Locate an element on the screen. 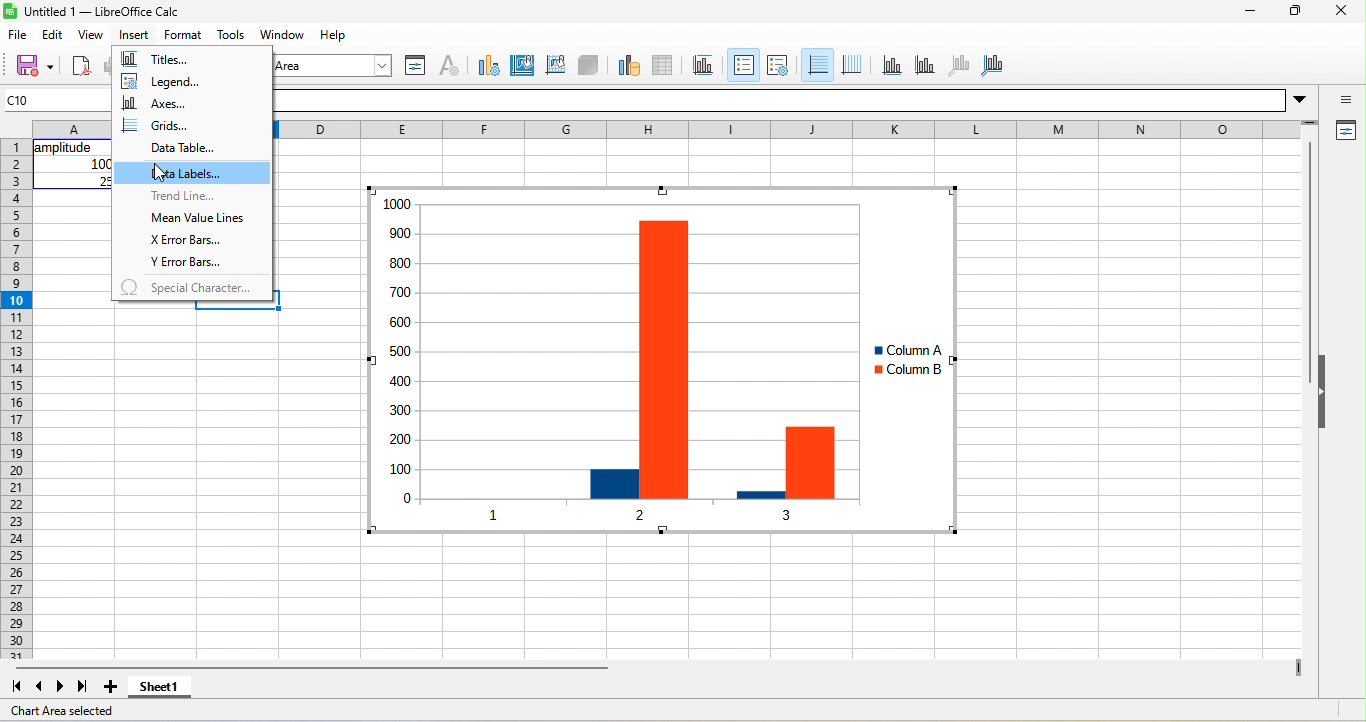  C10 is located at coordinates (57, 99).